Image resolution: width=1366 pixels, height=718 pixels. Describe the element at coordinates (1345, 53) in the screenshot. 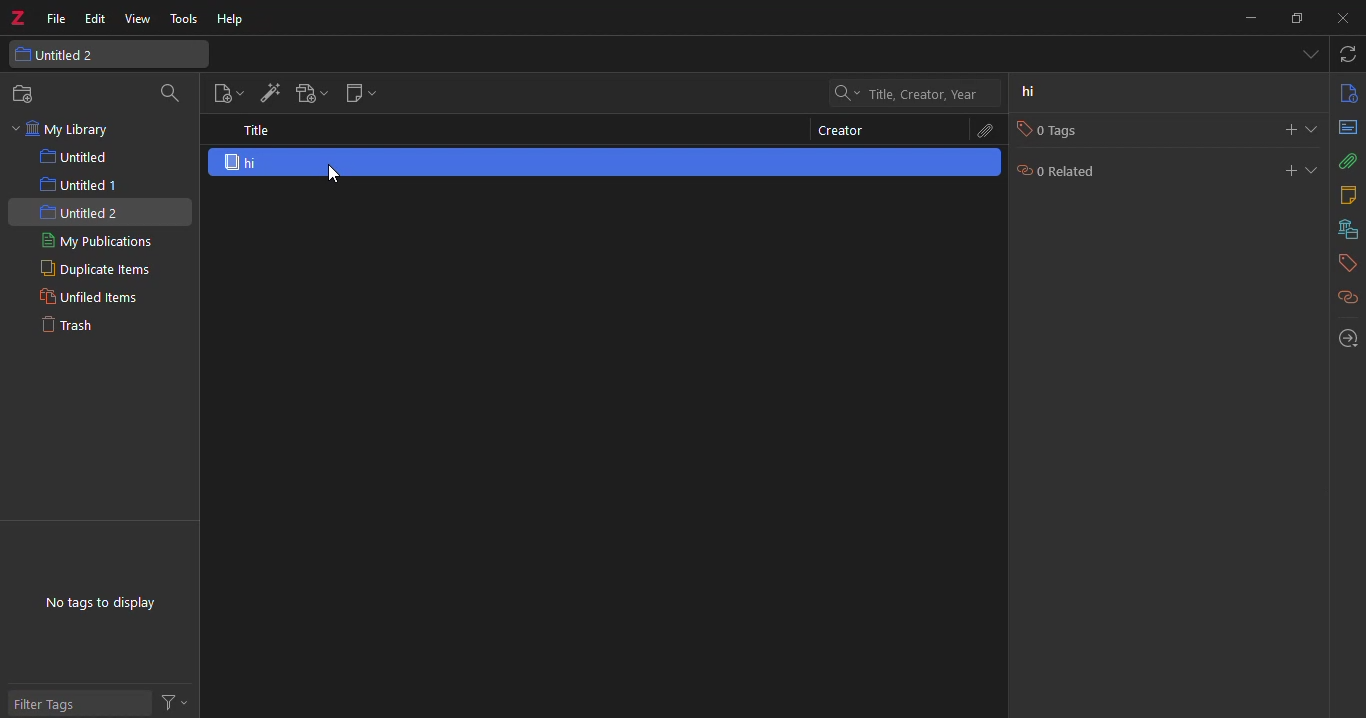

I see `sync` at that location.